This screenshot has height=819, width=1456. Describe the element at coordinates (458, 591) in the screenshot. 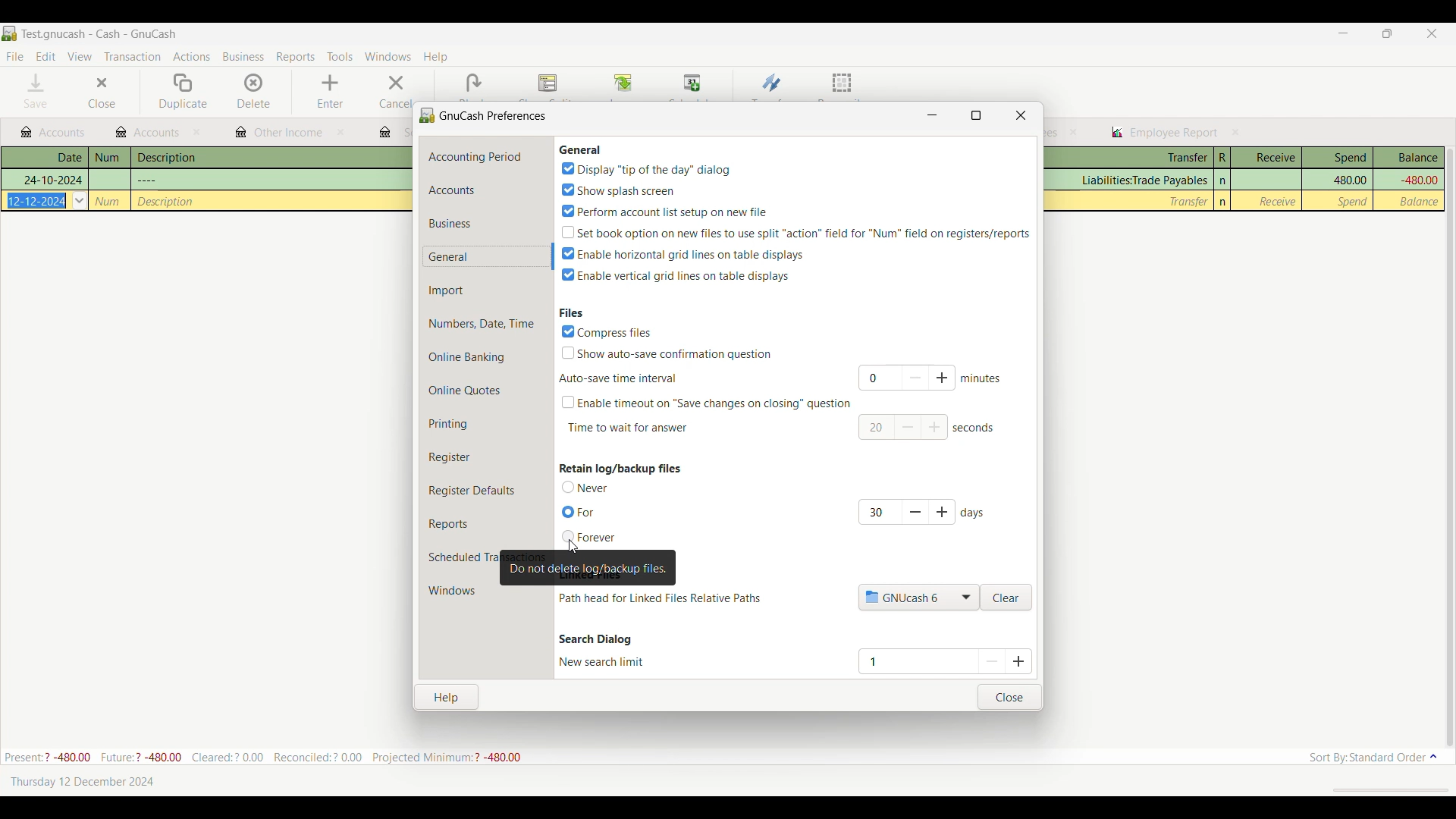

I see `Windows` at that location.